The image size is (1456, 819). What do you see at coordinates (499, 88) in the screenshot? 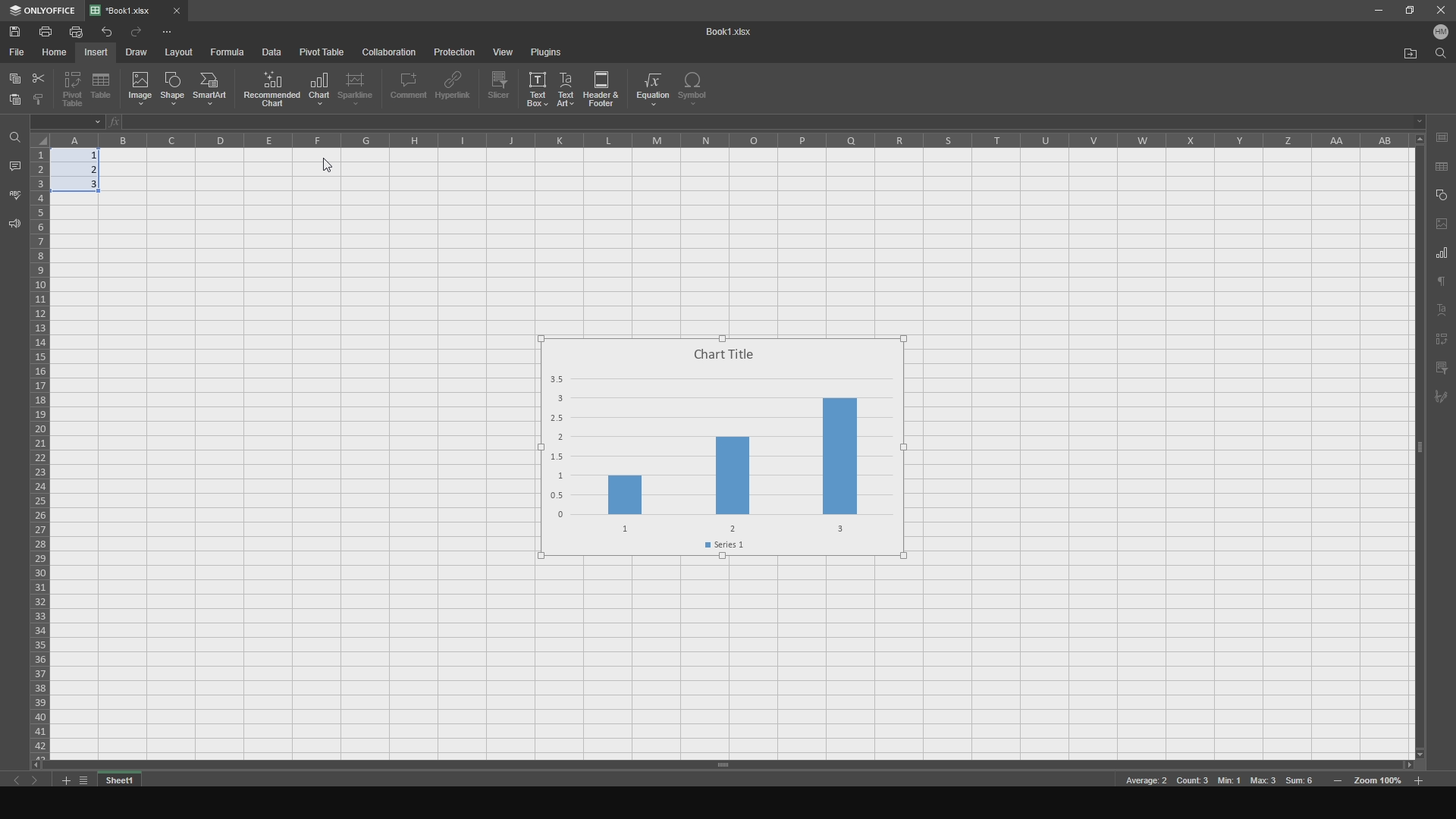
I see `slicer` at bounding box center [499, 88].